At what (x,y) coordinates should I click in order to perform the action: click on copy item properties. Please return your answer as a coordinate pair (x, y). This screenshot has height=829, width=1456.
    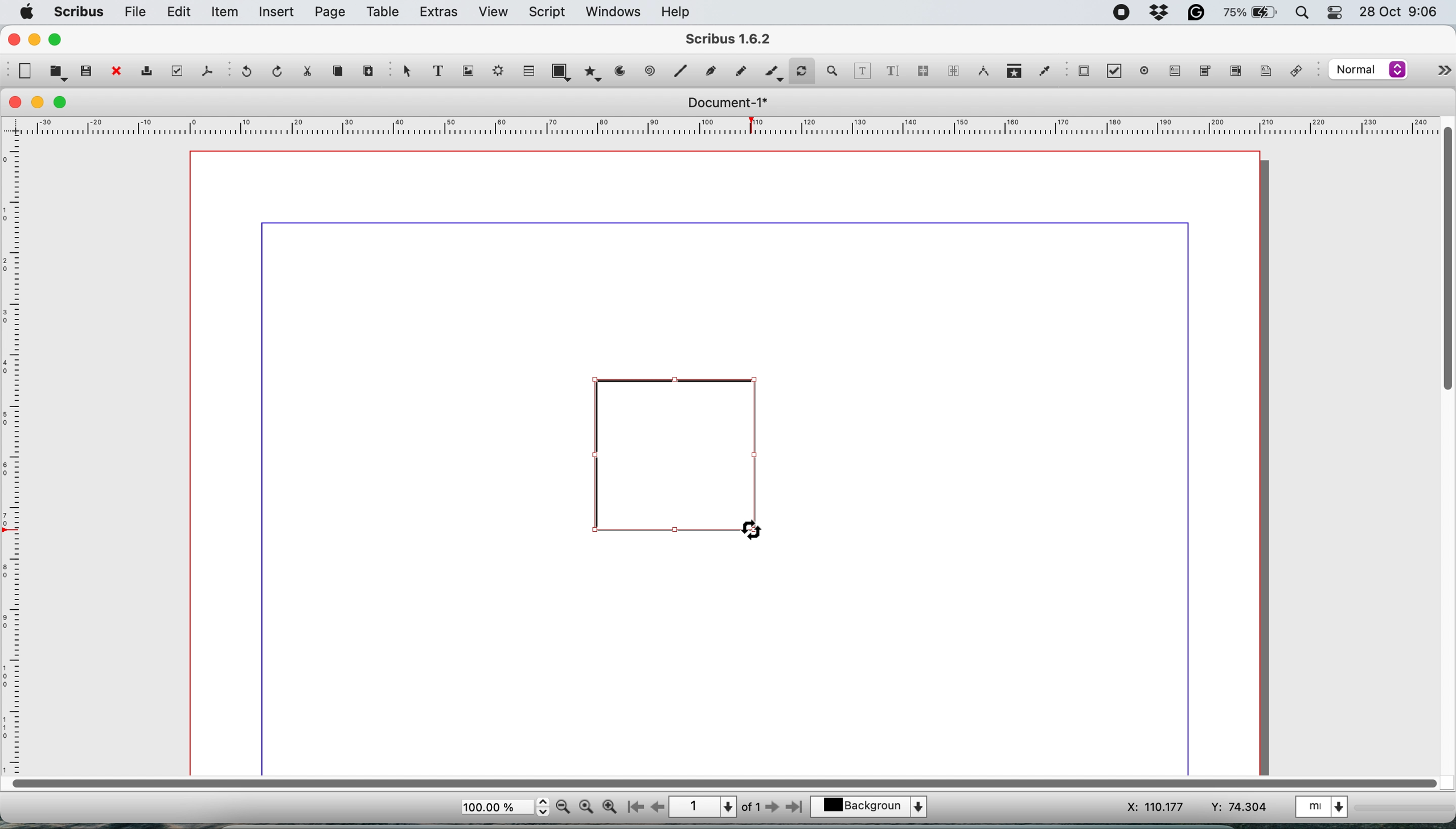
    Looking at the image, I should click on (1012, 72).